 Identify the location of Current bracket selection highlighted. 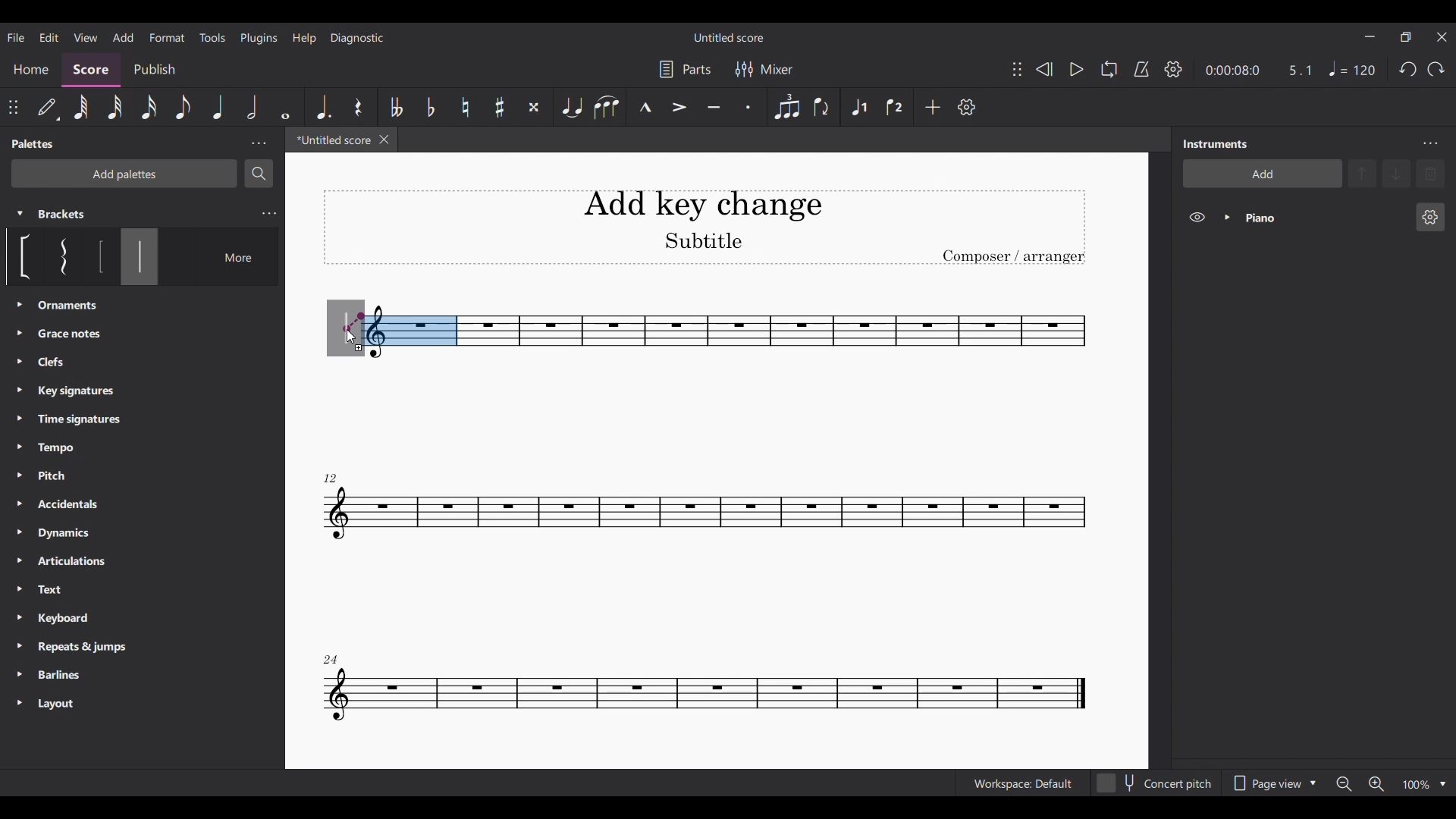
(140, 256).